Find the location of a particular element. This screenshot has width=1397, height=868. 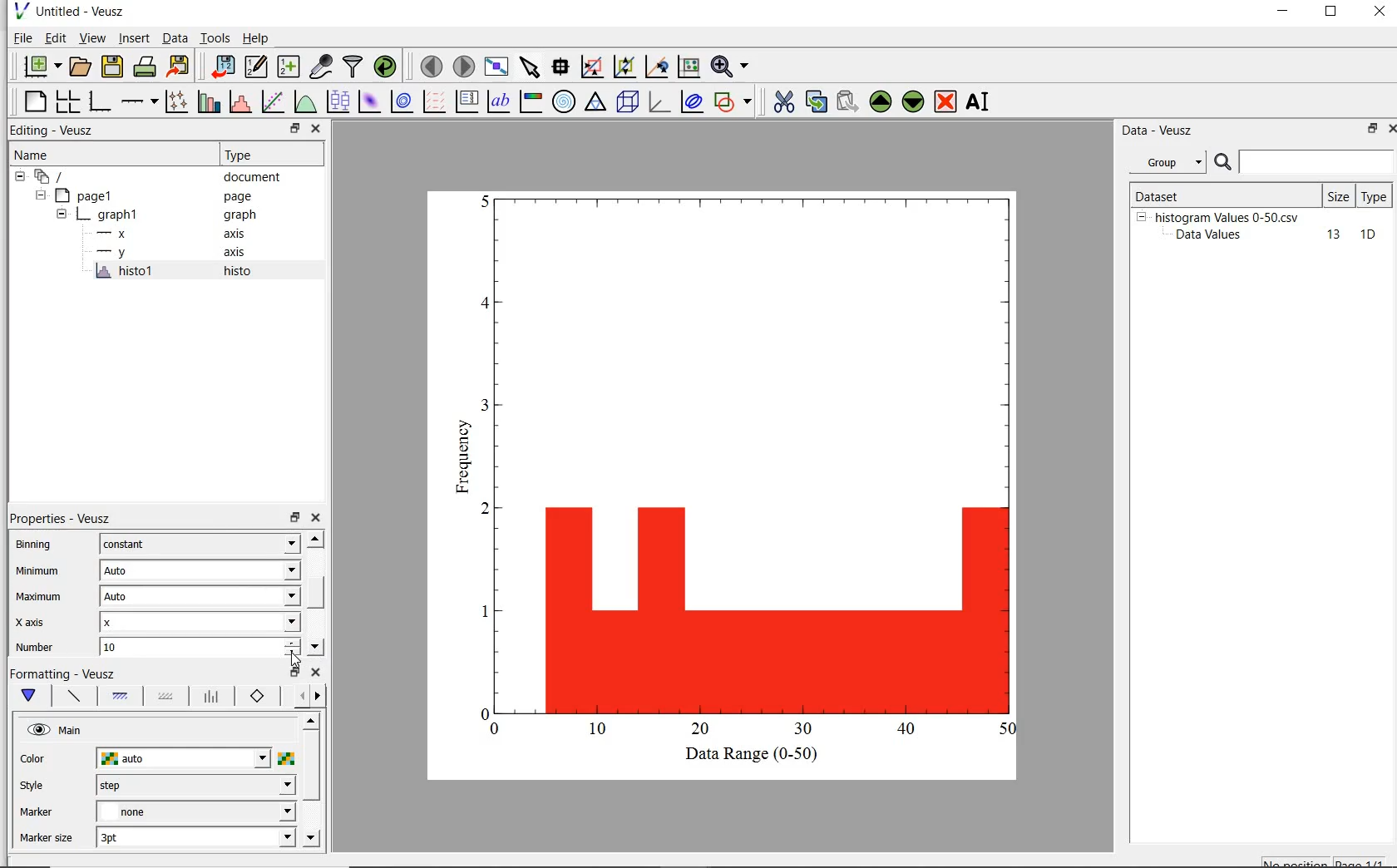

step is located at coordinates (195, 785).